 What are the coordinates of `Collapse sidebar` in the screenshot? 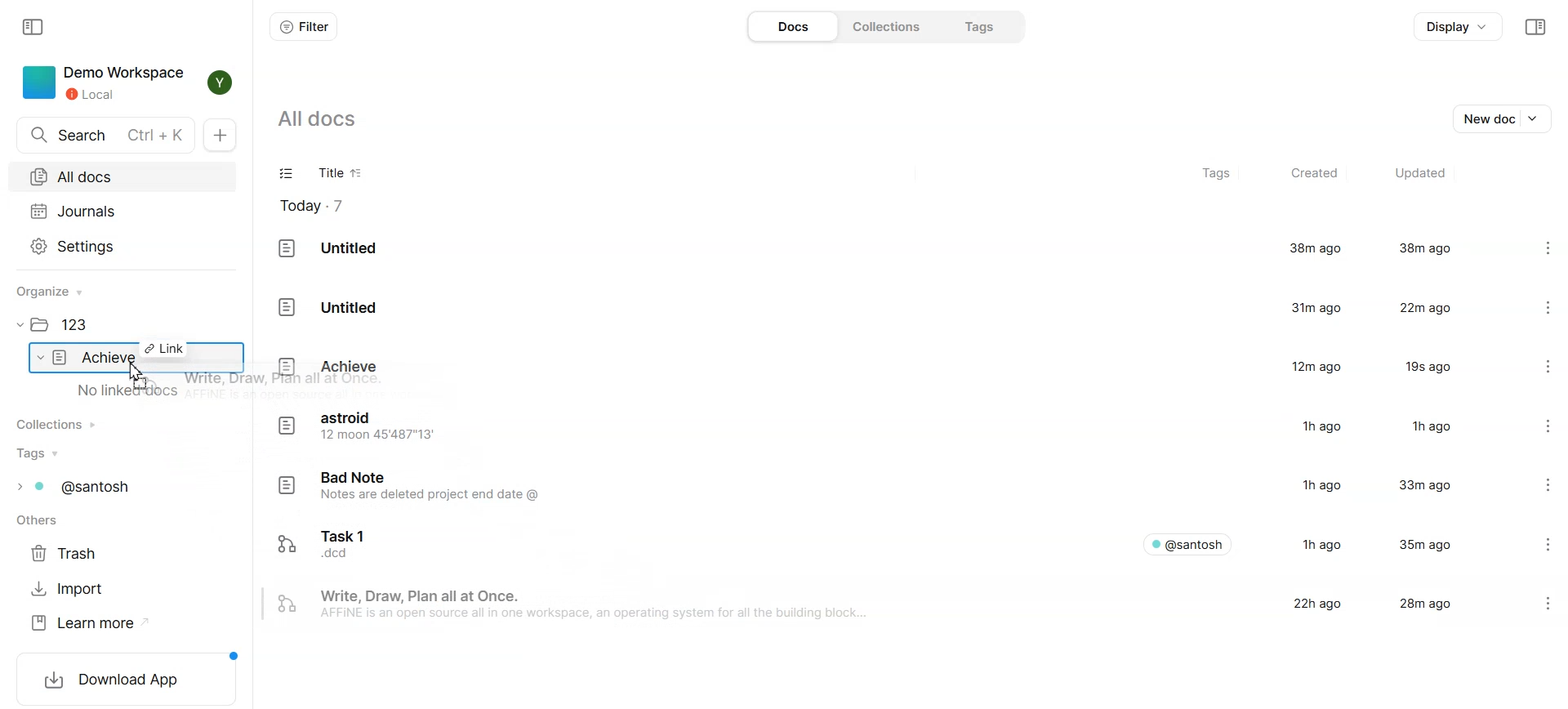 It's located at (35, 25).